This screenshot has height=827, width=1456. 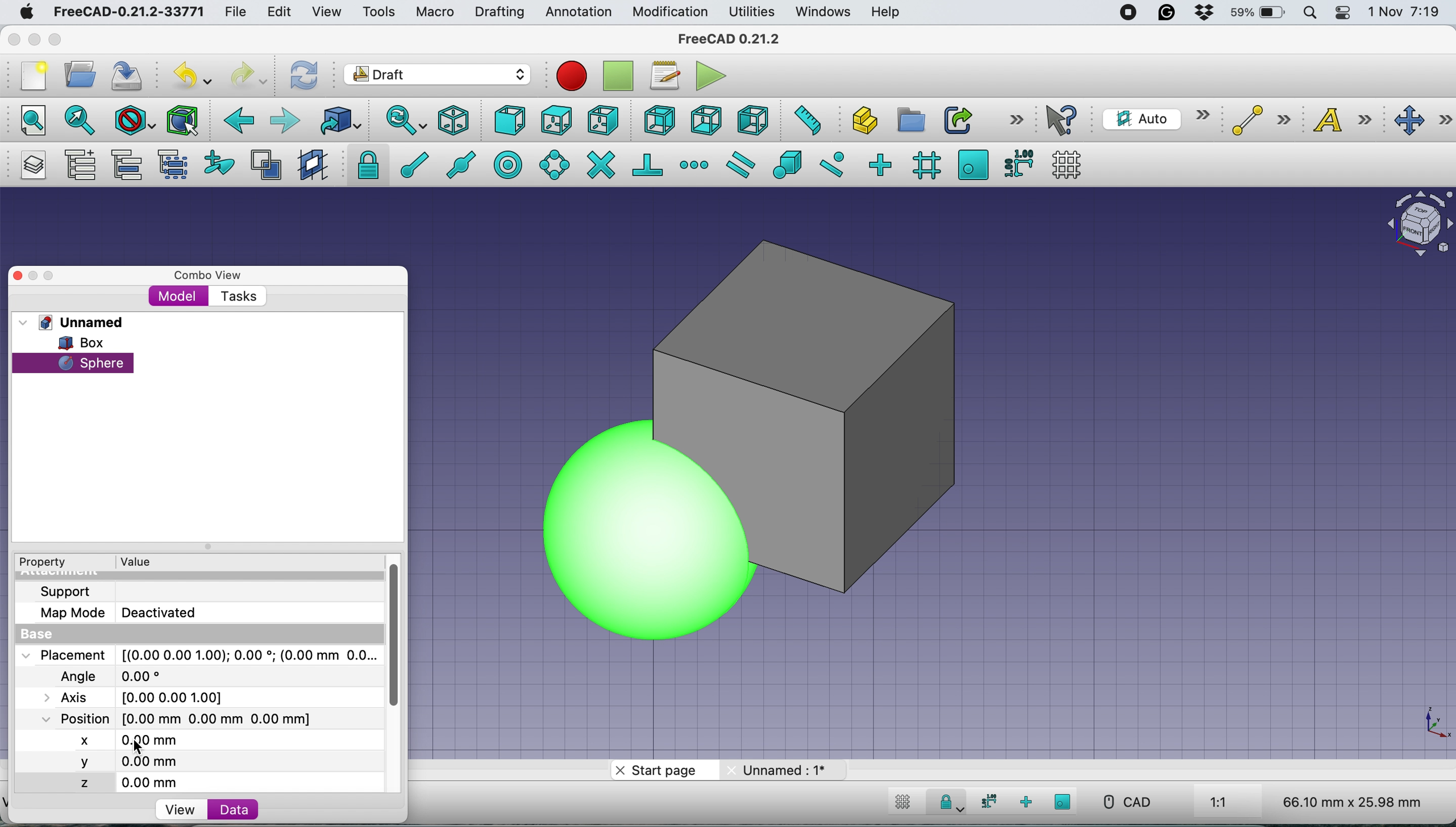 I want to click on placement, so click(x=198, y=654).